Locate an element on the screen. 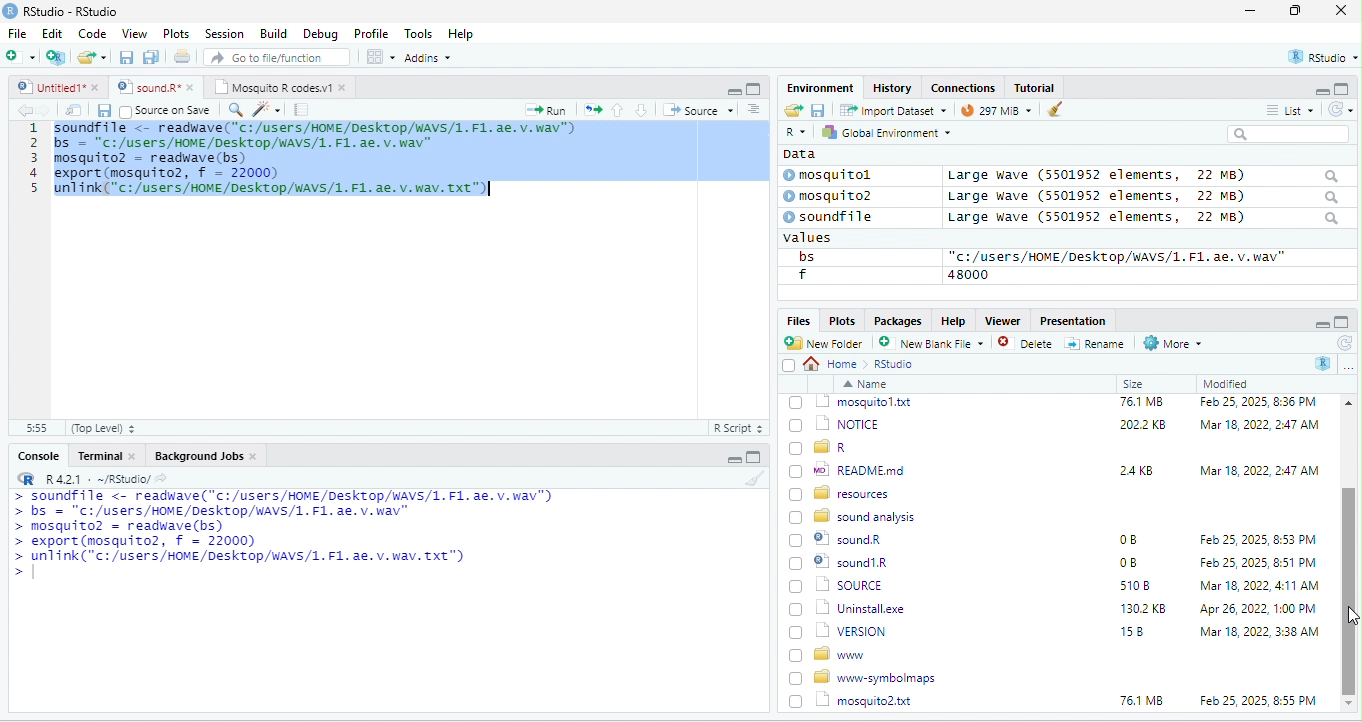 The height and width of the screenshot is (722, 1362). ‘| COPYING is located at coordinates (839, 473).